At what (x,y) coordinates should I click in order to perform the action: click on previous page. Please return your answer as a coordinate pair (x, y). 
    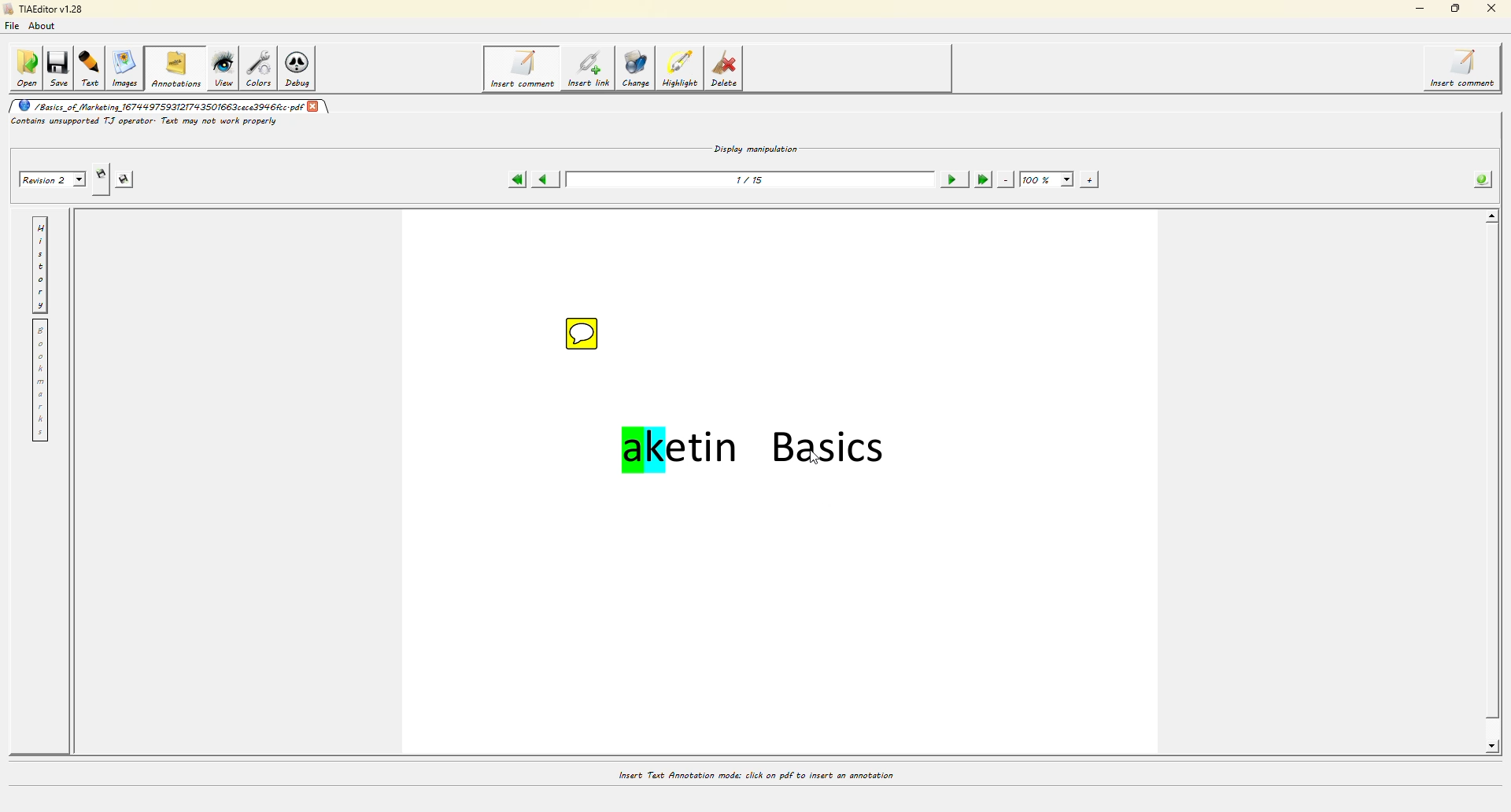
    Looking at the image, I should click on (545, 180).